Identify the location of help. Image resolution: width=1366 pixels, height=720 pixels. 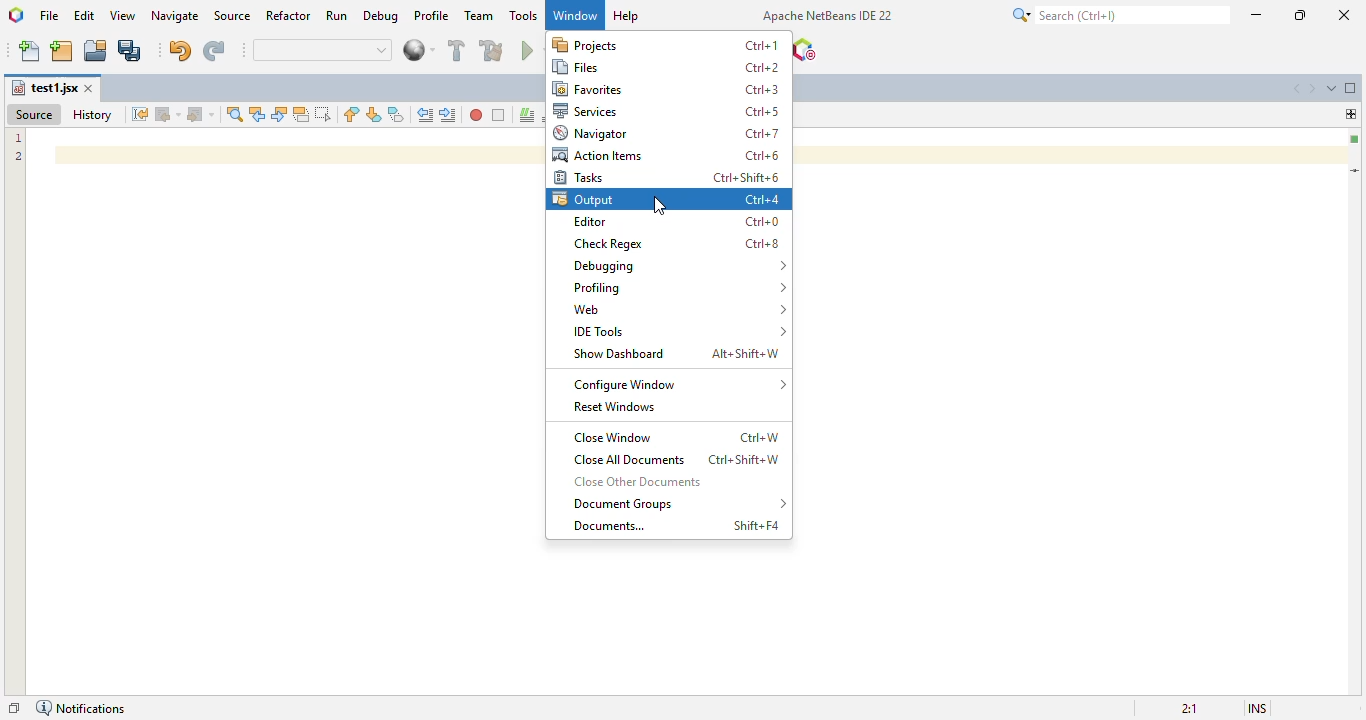
(627, 16).